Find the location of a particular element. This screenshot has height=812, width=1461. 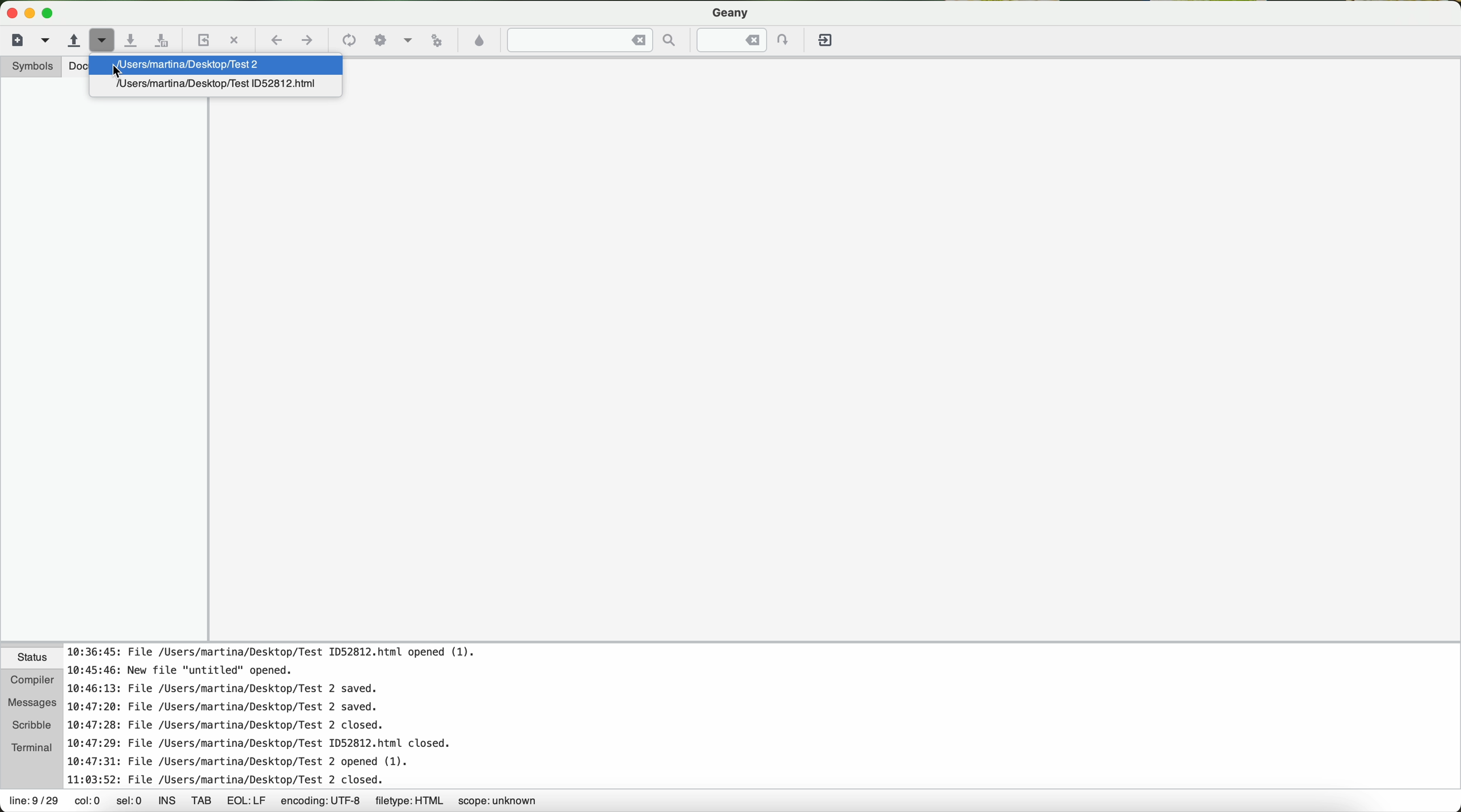

save all open files is located at coordinates (162, 42).